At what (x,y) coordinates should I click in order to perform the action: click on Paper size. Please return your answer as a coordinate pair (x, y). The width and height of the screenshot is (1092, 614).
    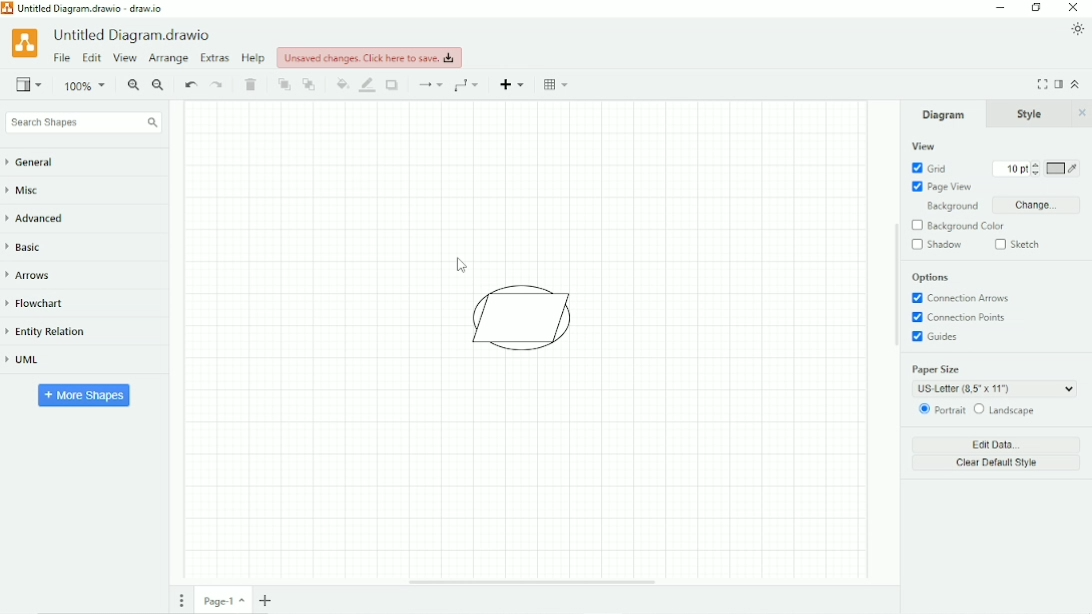
    Looking at the image, I should click on (993, 379).